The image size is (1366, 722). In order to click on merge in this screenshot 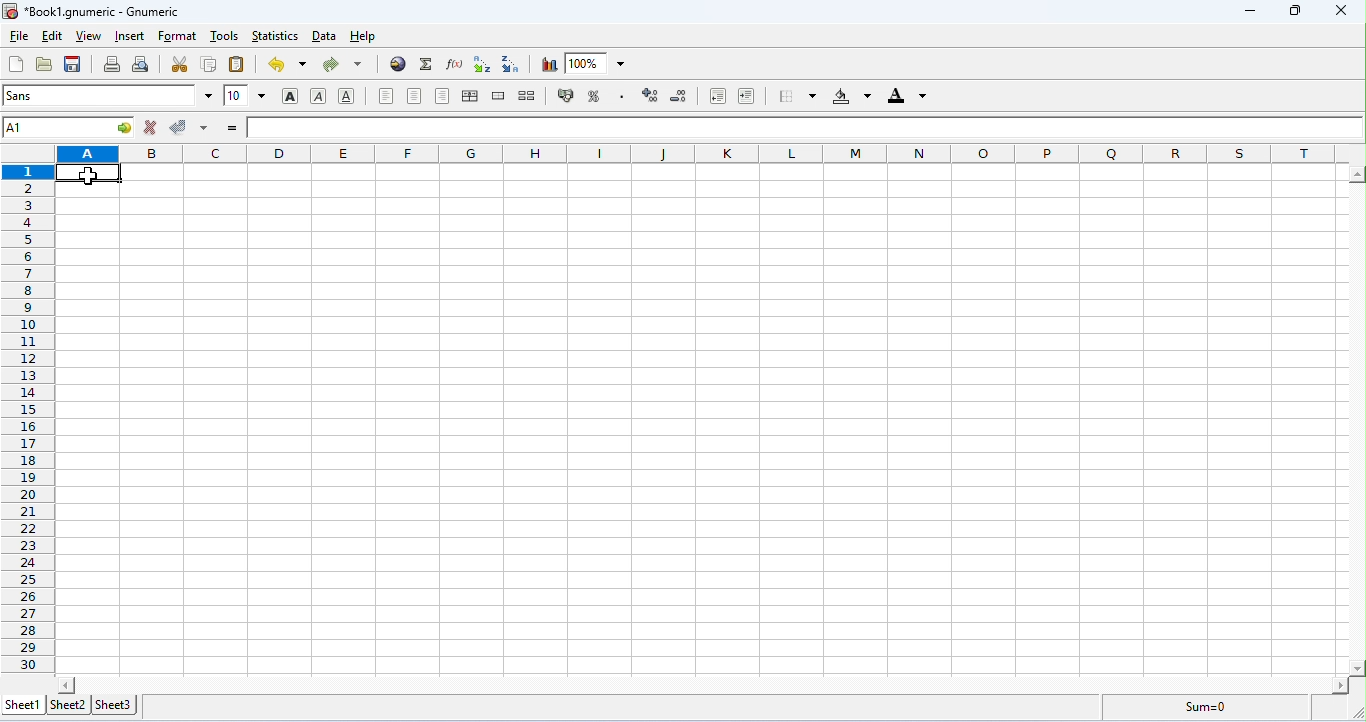, I will do `click(499, 95)`.